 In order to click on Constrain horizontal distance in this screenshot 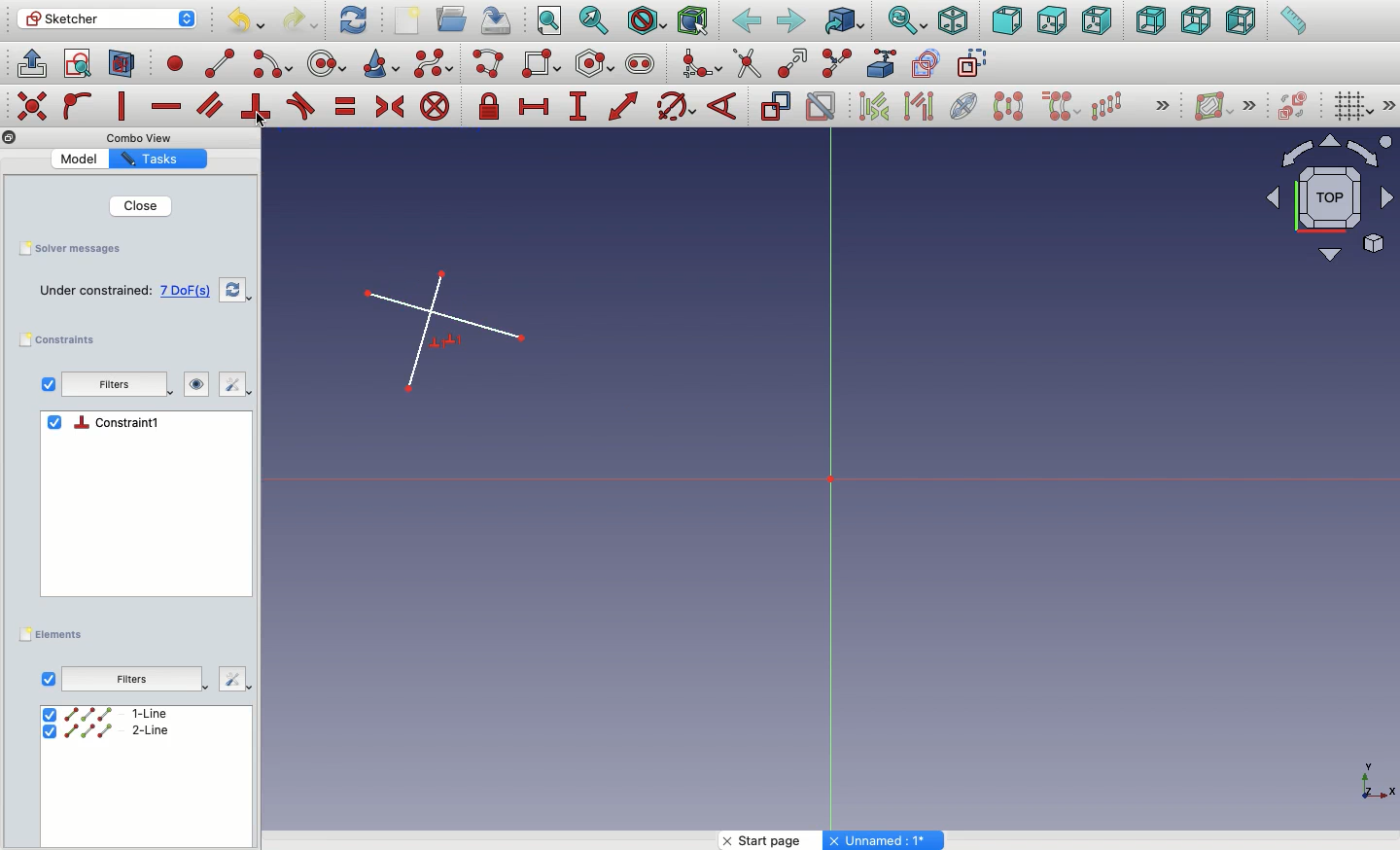, I will do `click(538, 108)`.